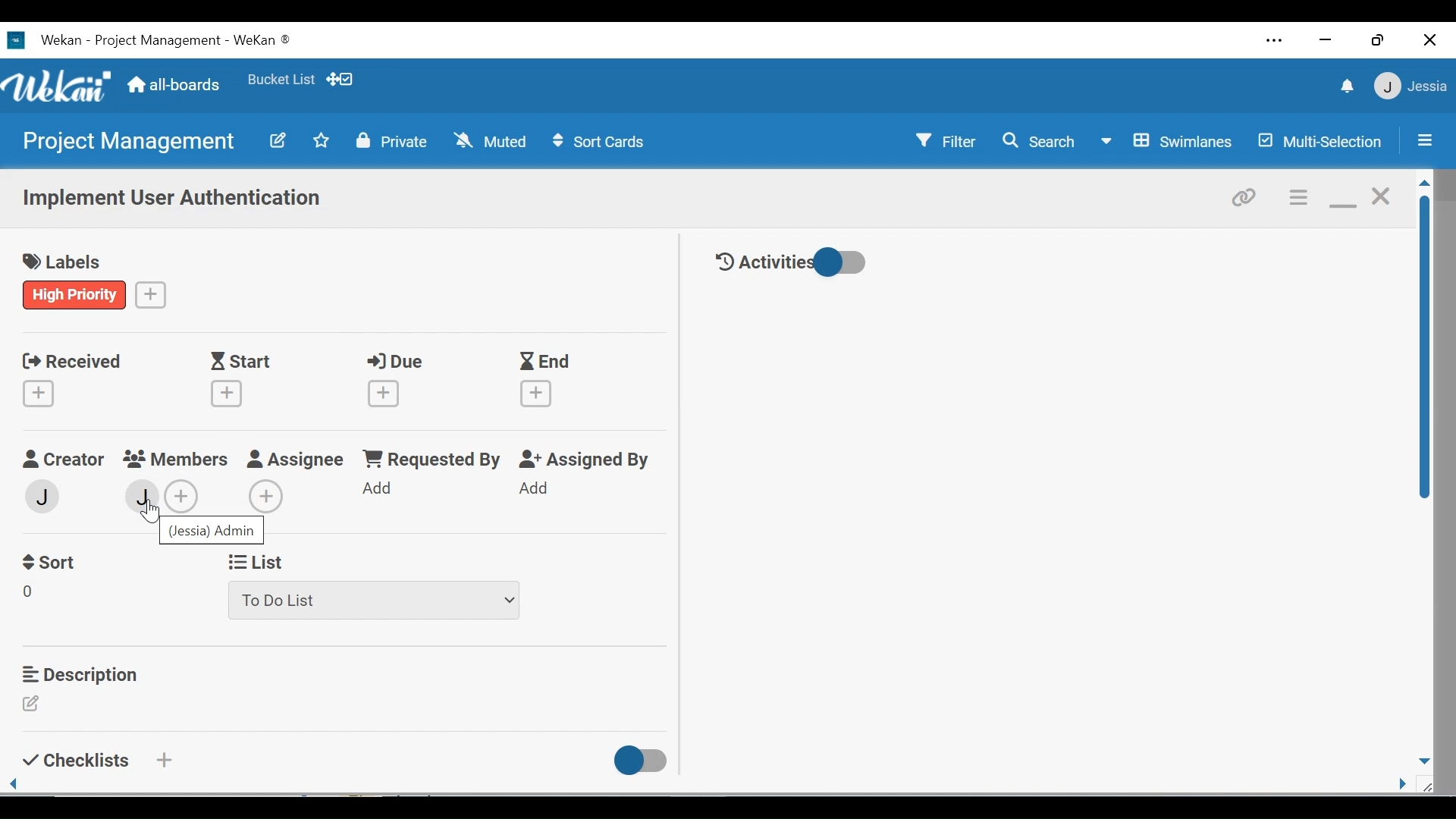 The height and width of the screenshot is (819, 1456). I want to click on add, so click(268, 495).